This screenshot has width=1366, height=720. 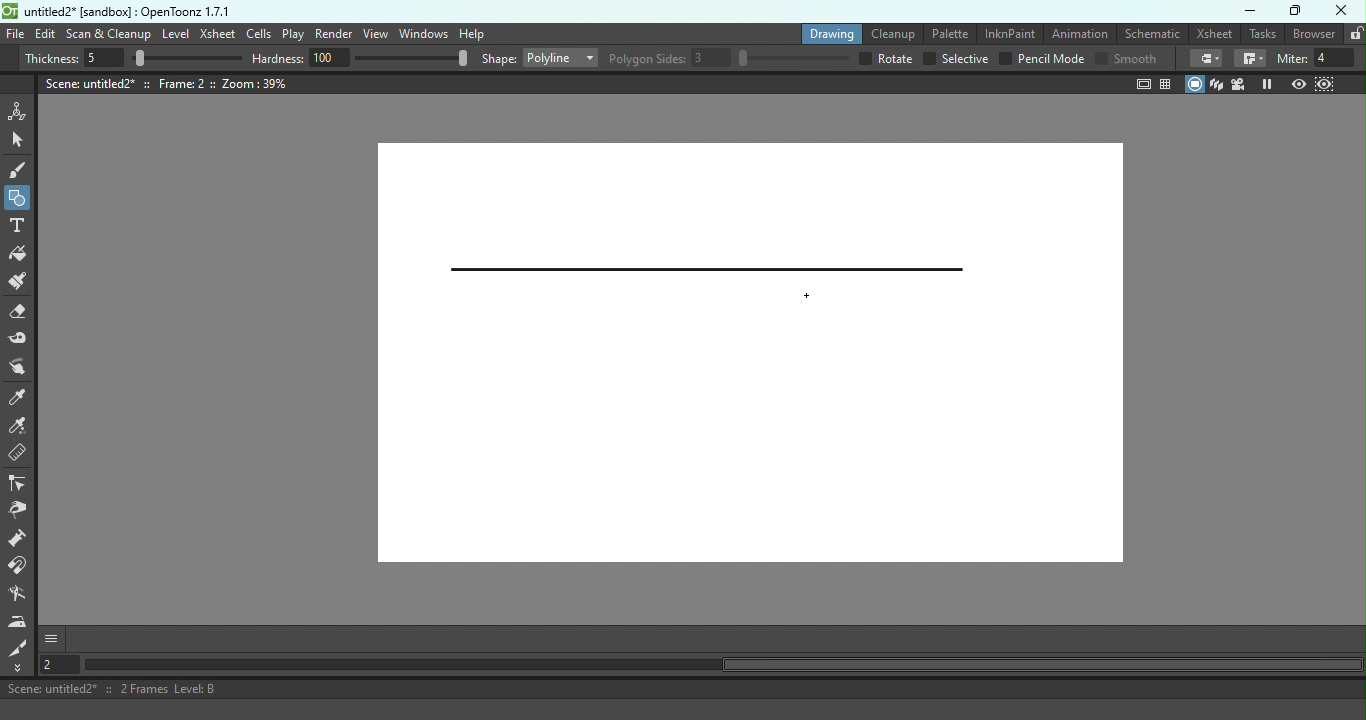 What do you see at coordinates (471, 33) in the screenshot?
I see `Help` at bounding box center [471, 33].